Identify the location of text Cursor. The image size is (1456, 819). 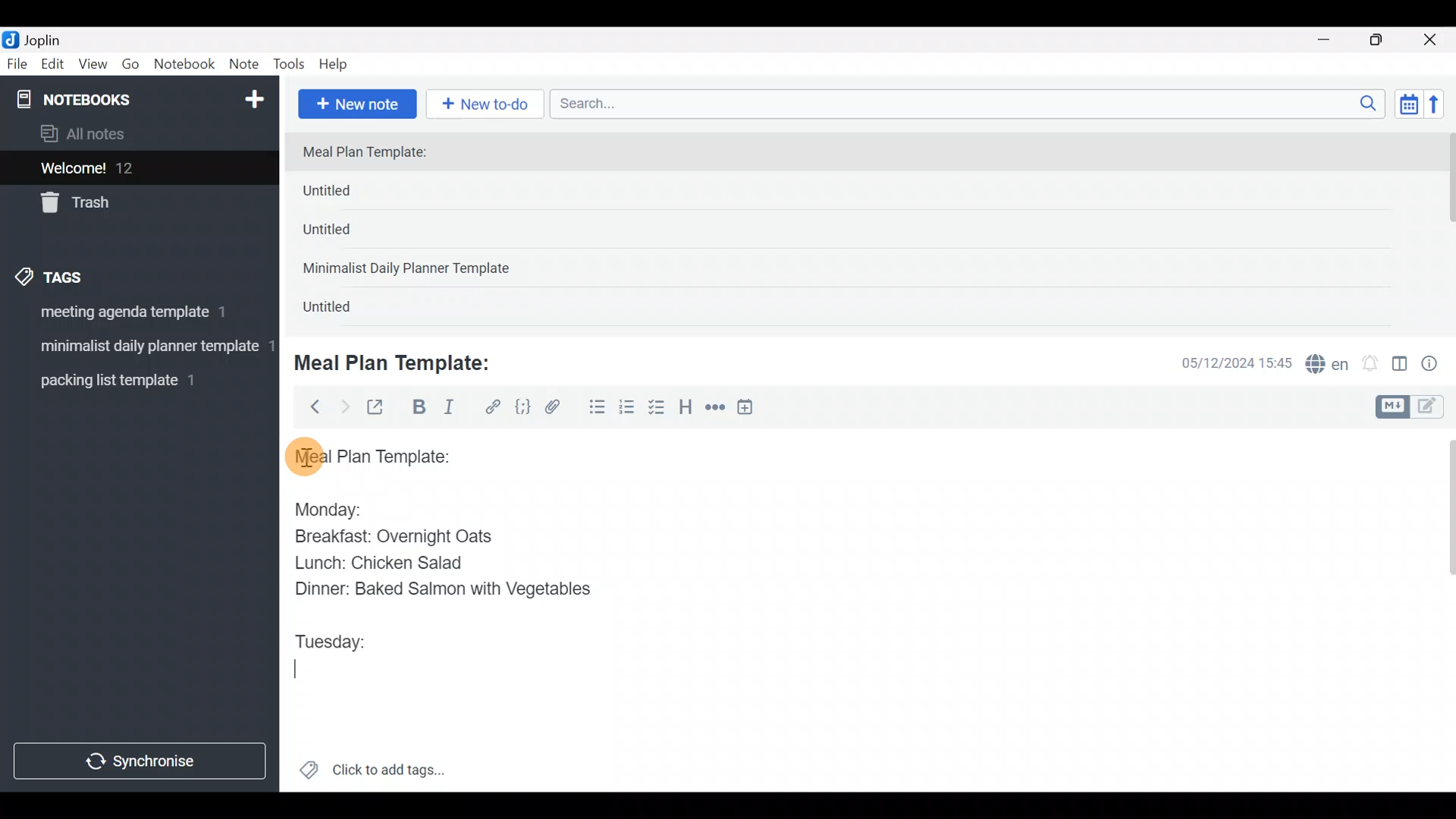
(306, 670).